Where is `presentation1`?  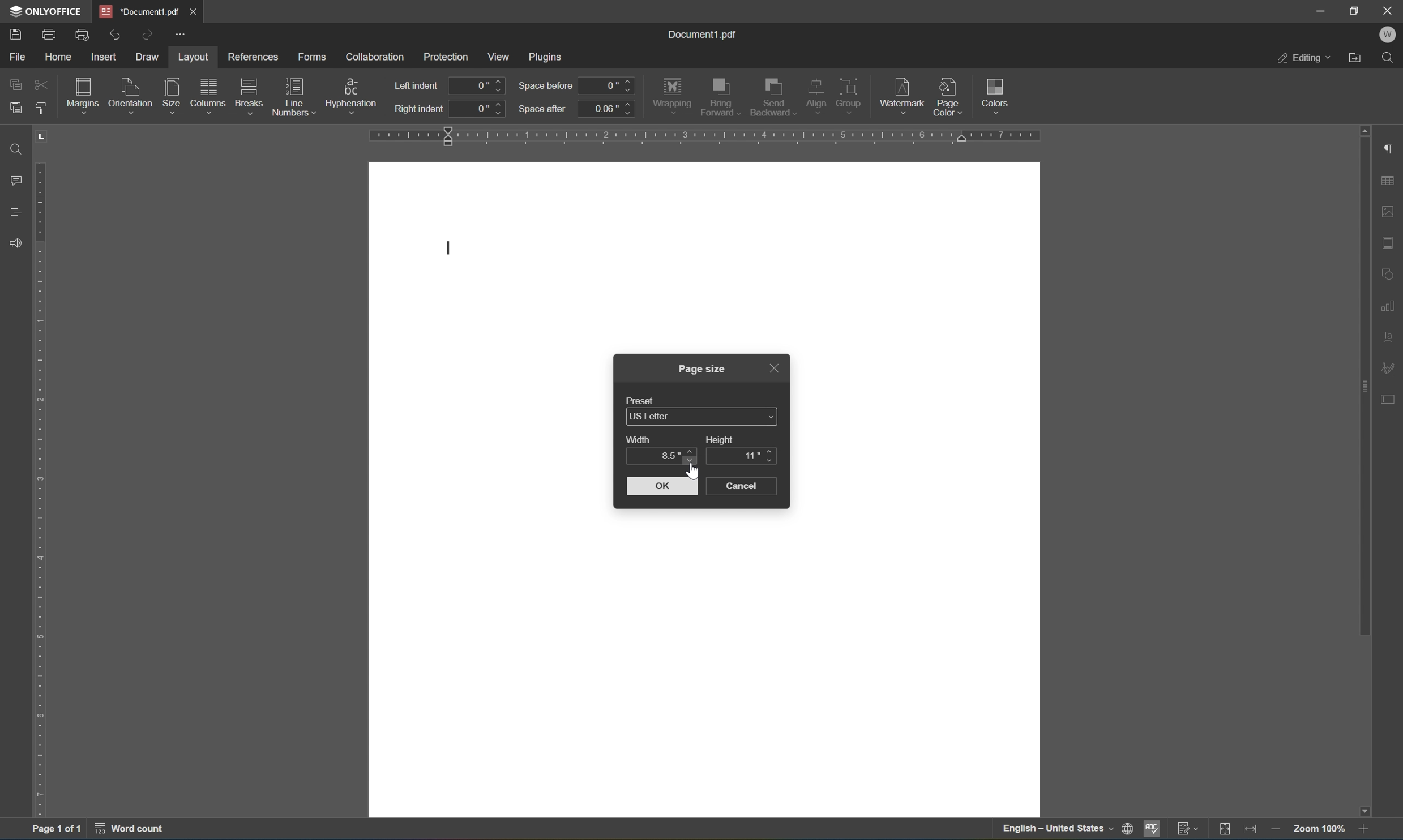
presentation1 is located at coordinates (139, 11).